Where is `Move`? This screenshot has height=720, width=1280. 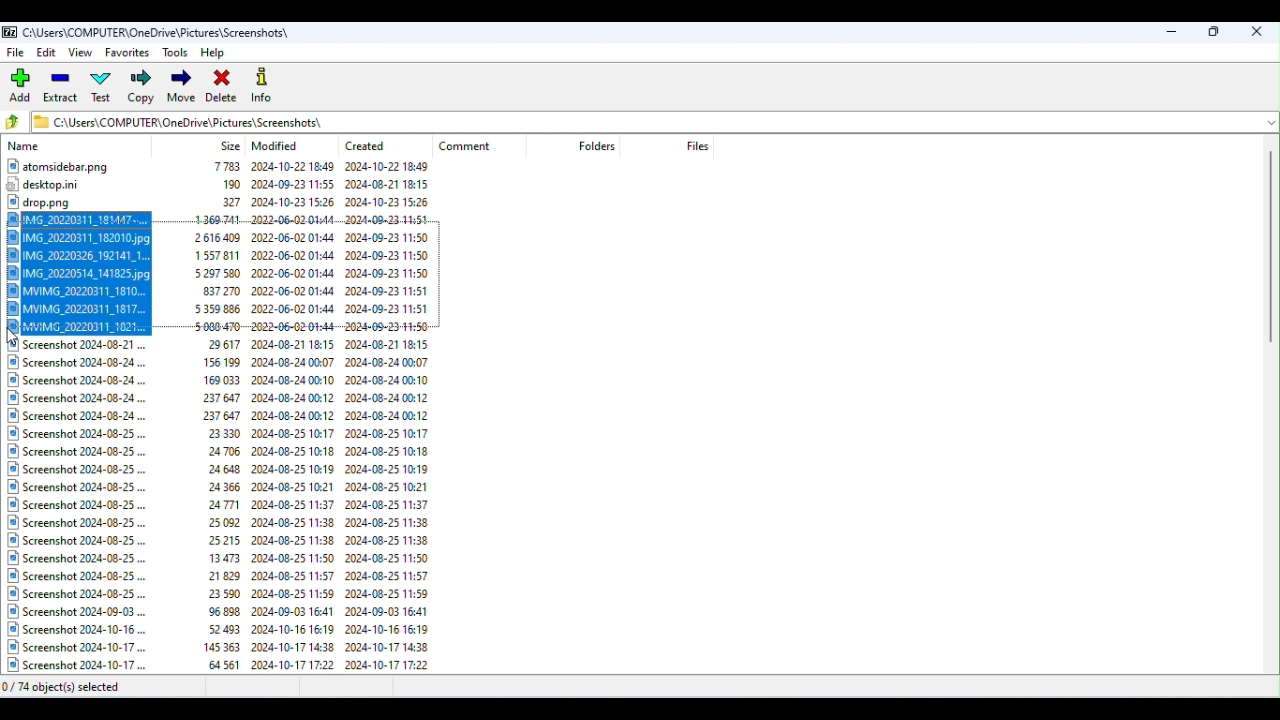
Move is located at coordinates (181, 87).